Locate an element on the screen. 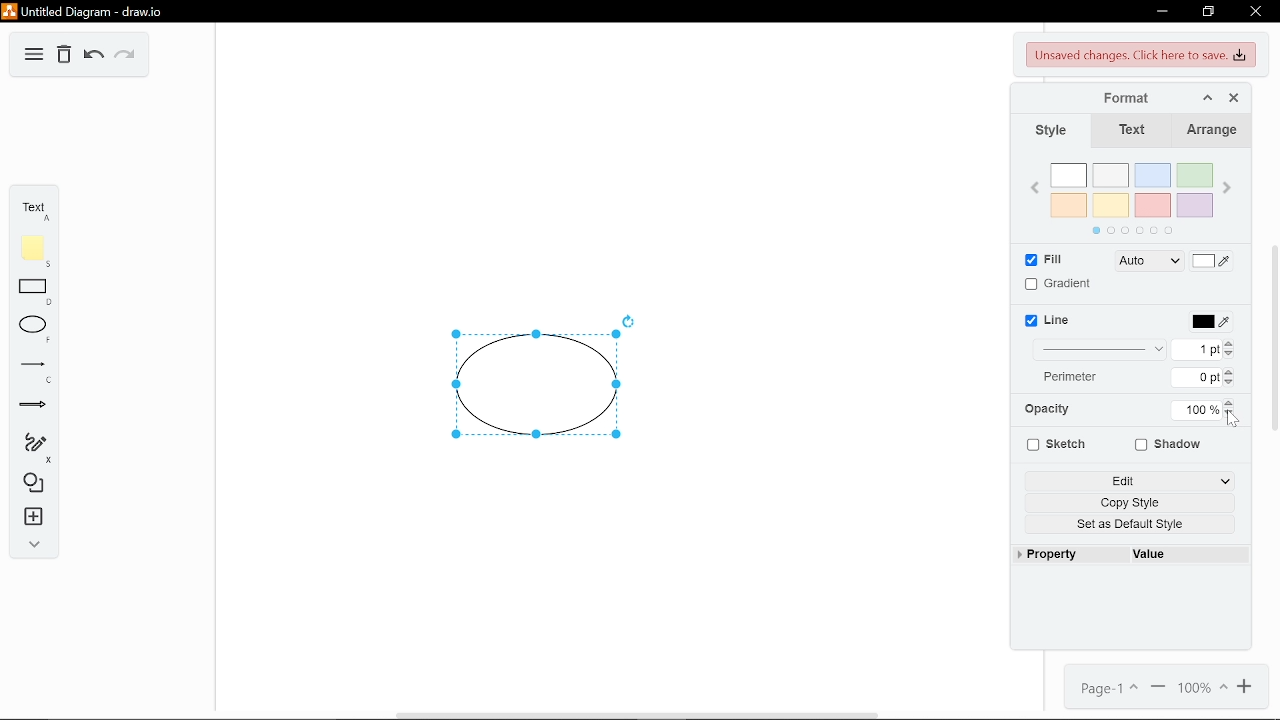 This screenshot has height=720, width=1280. Decrease opacity is located at coordinates (1231, 415).